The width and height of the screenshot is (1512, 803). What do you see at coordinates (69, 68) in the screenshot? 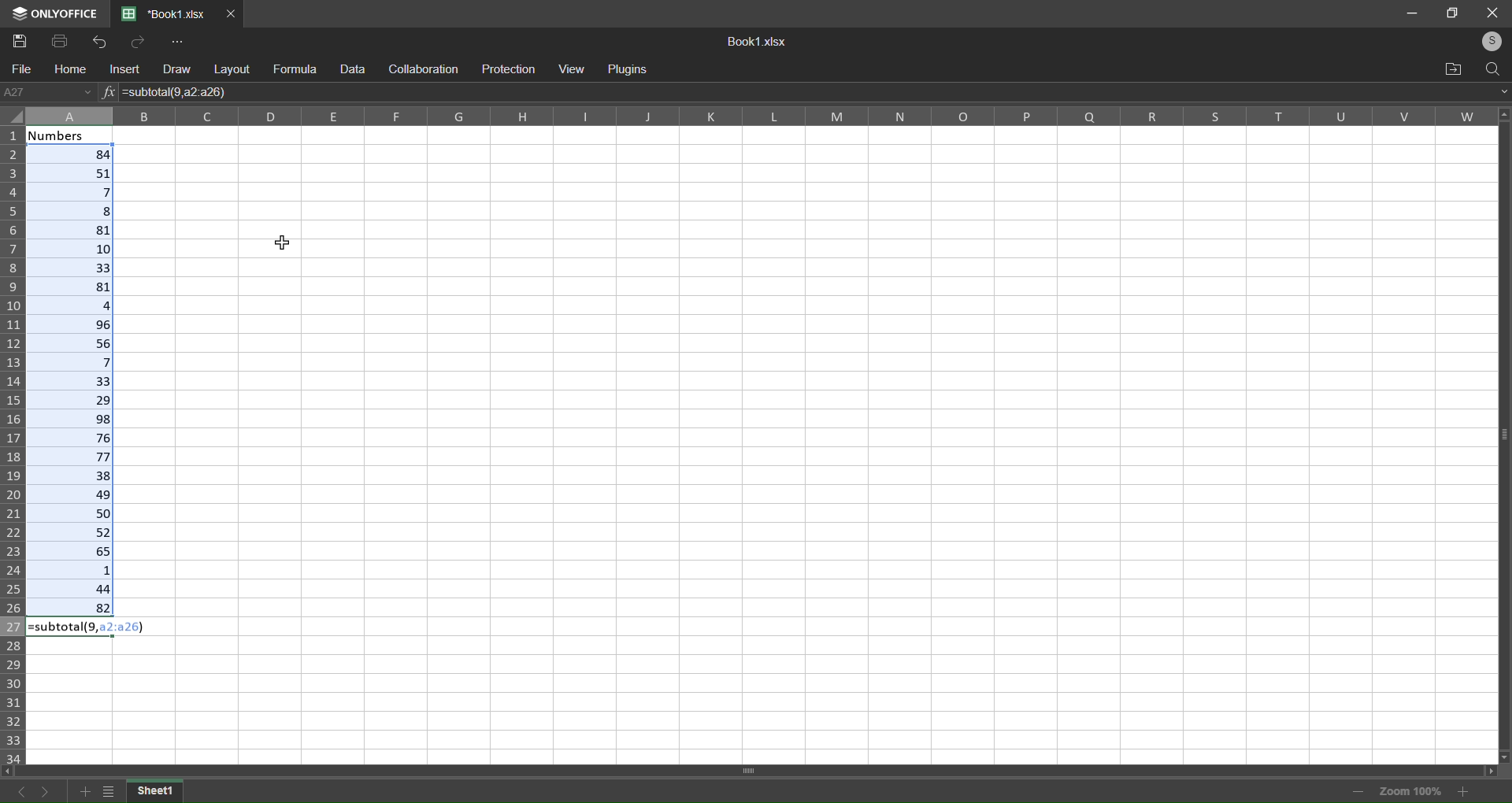
I see `home` at bounding box center [69, 68].